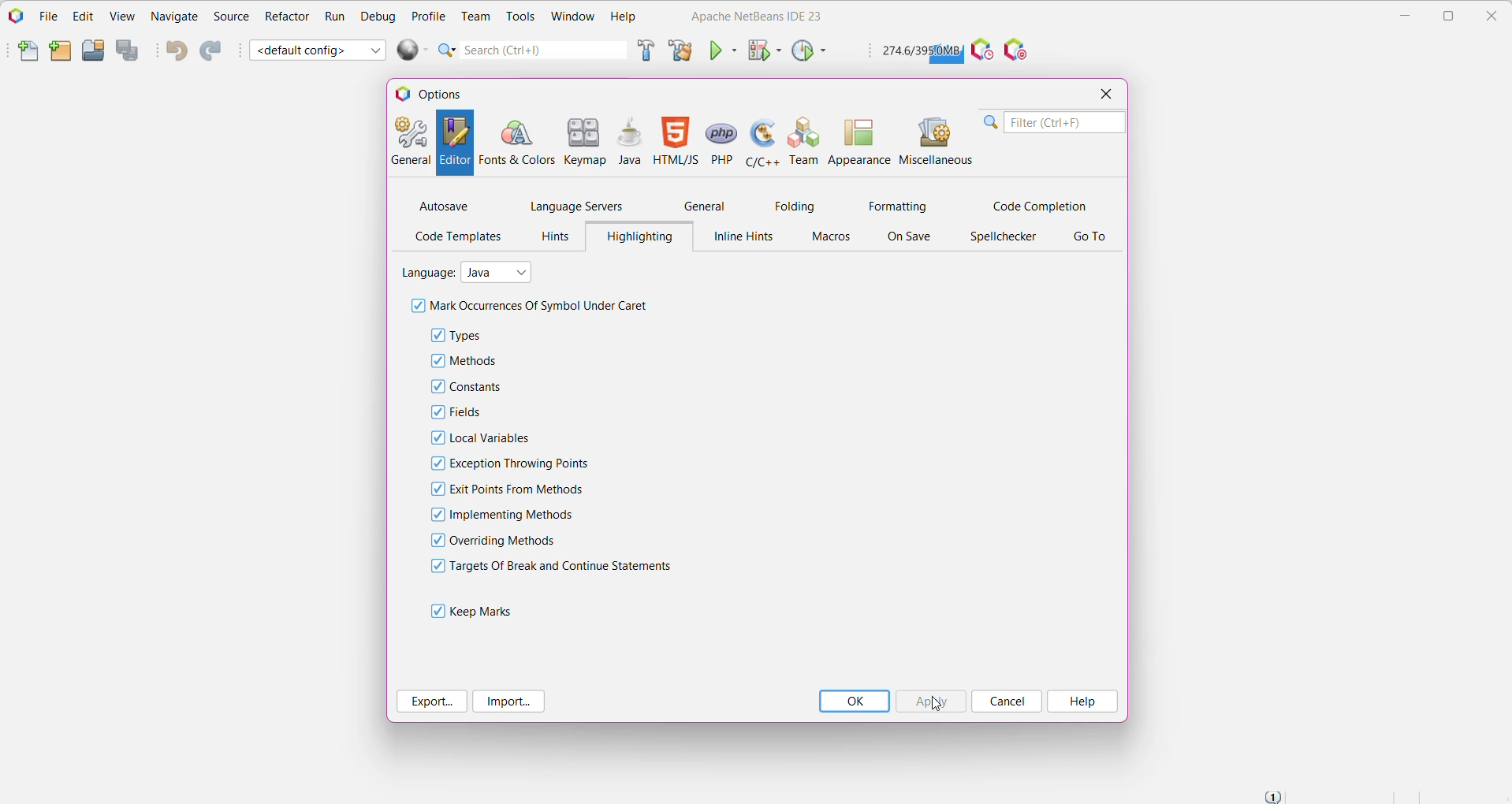  Describe the element at coordinates (500, 272) in the screenshot. I see `Select the language from the ist` at that location.